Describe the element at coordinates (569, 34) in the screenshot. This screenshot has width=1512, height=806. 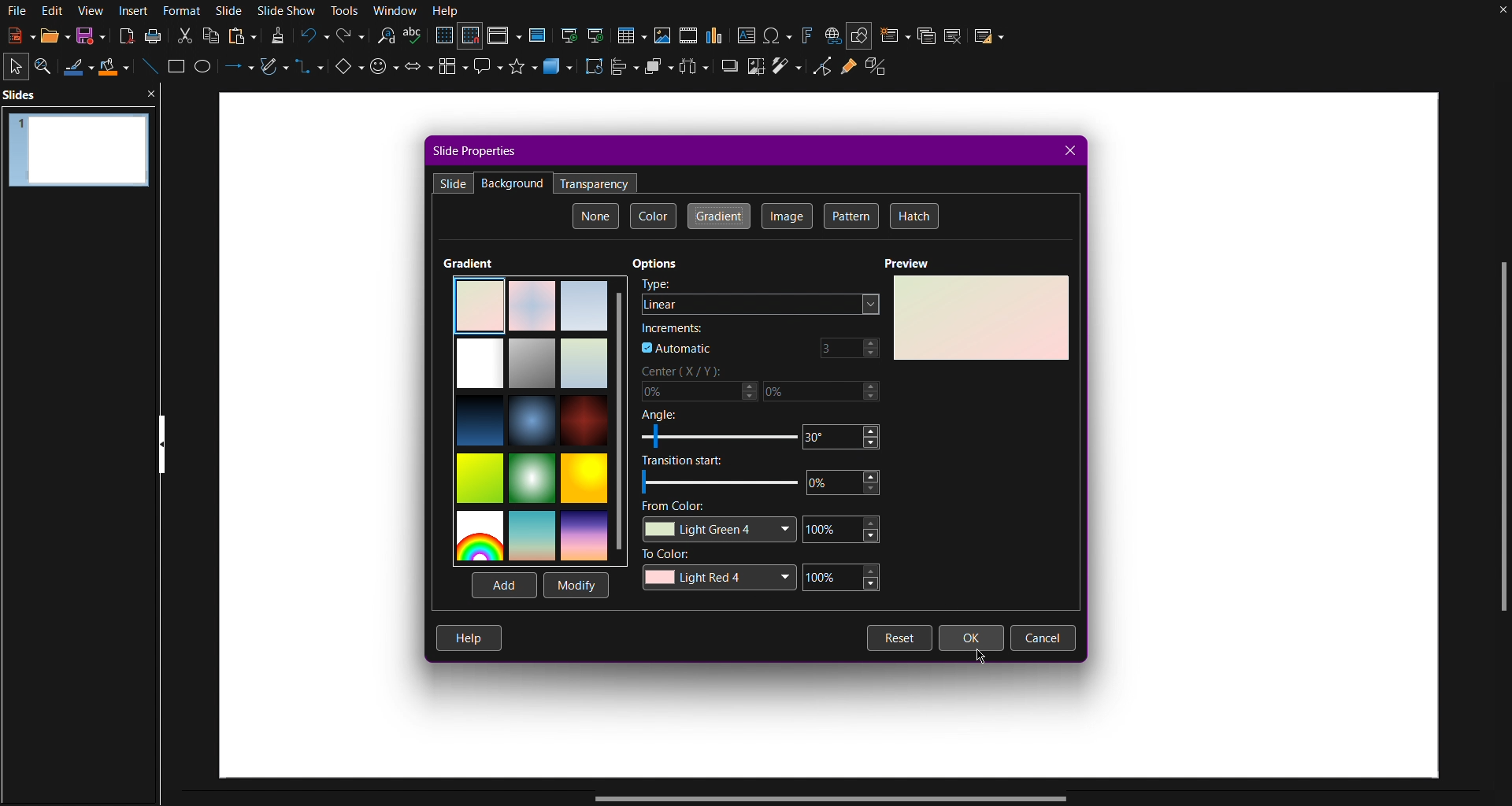
I see `Start from First Slide` at that location.